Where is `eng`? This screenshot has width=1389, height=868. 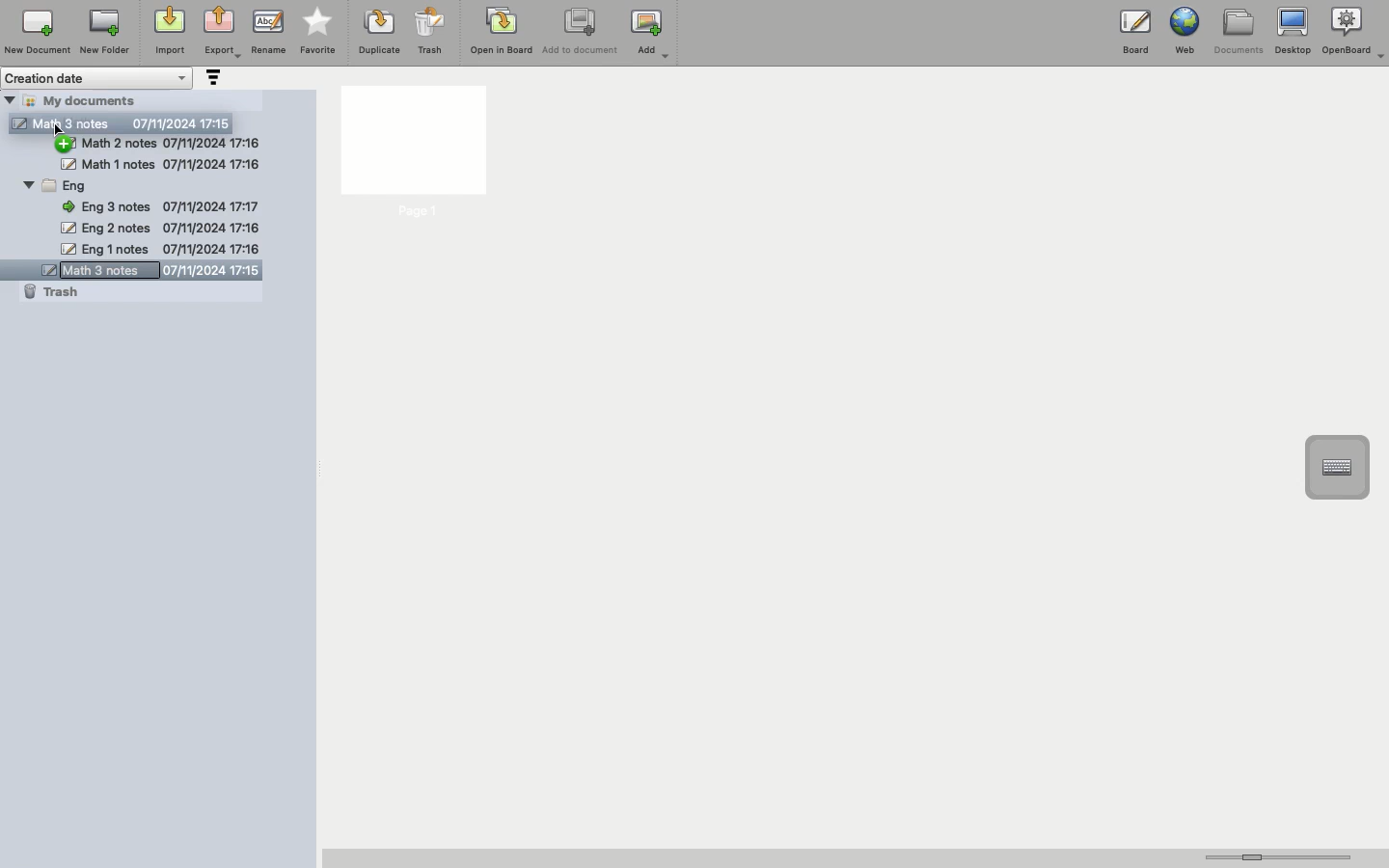 eng is located at coordinates (158, 185).